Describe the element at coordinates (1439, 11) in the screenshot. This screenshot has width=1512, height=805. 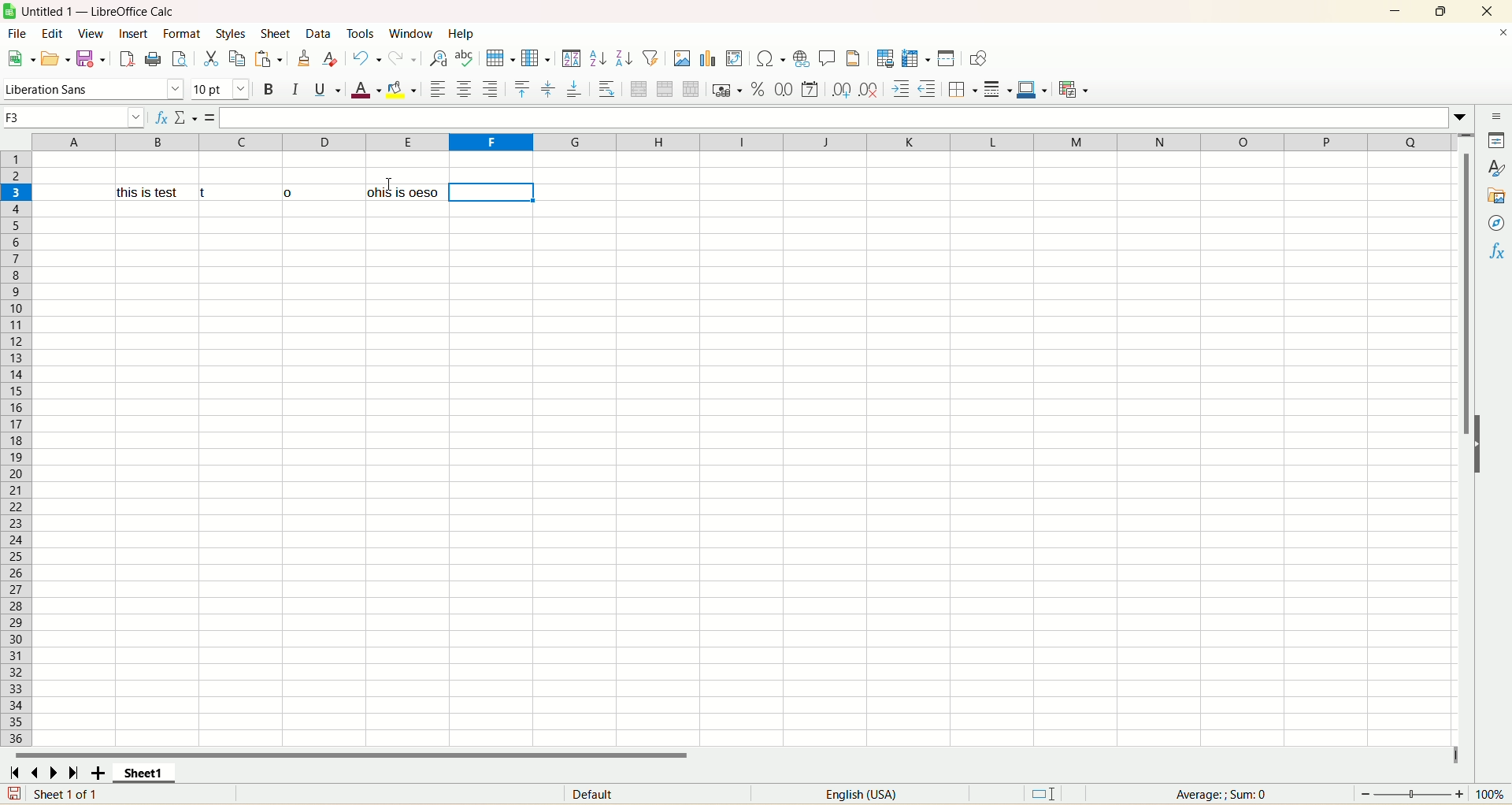
I see `maximize` at that location.